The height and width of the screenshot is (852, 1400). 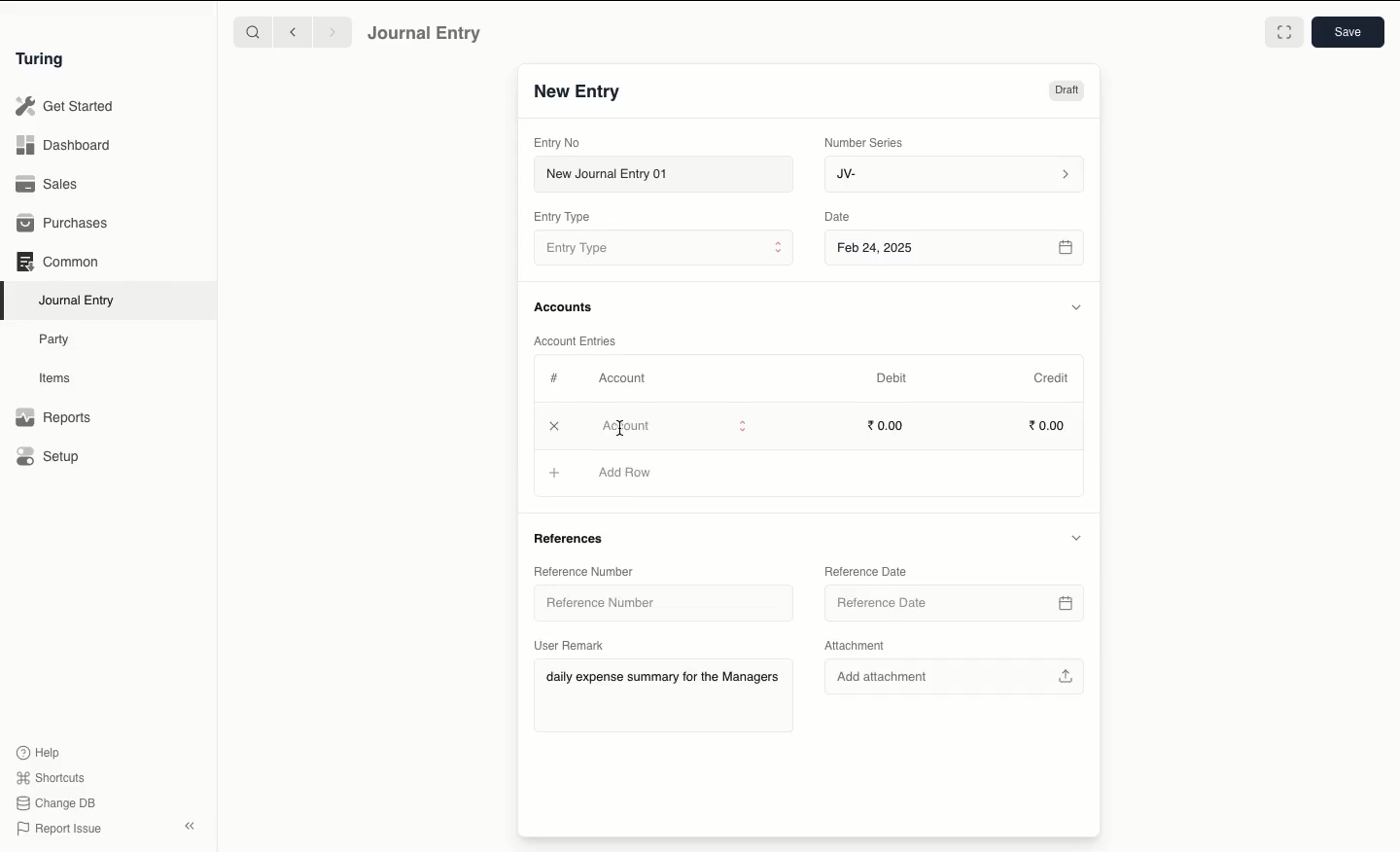 I want to click on Toggle between form and full width, so click(x=1284, y=32).